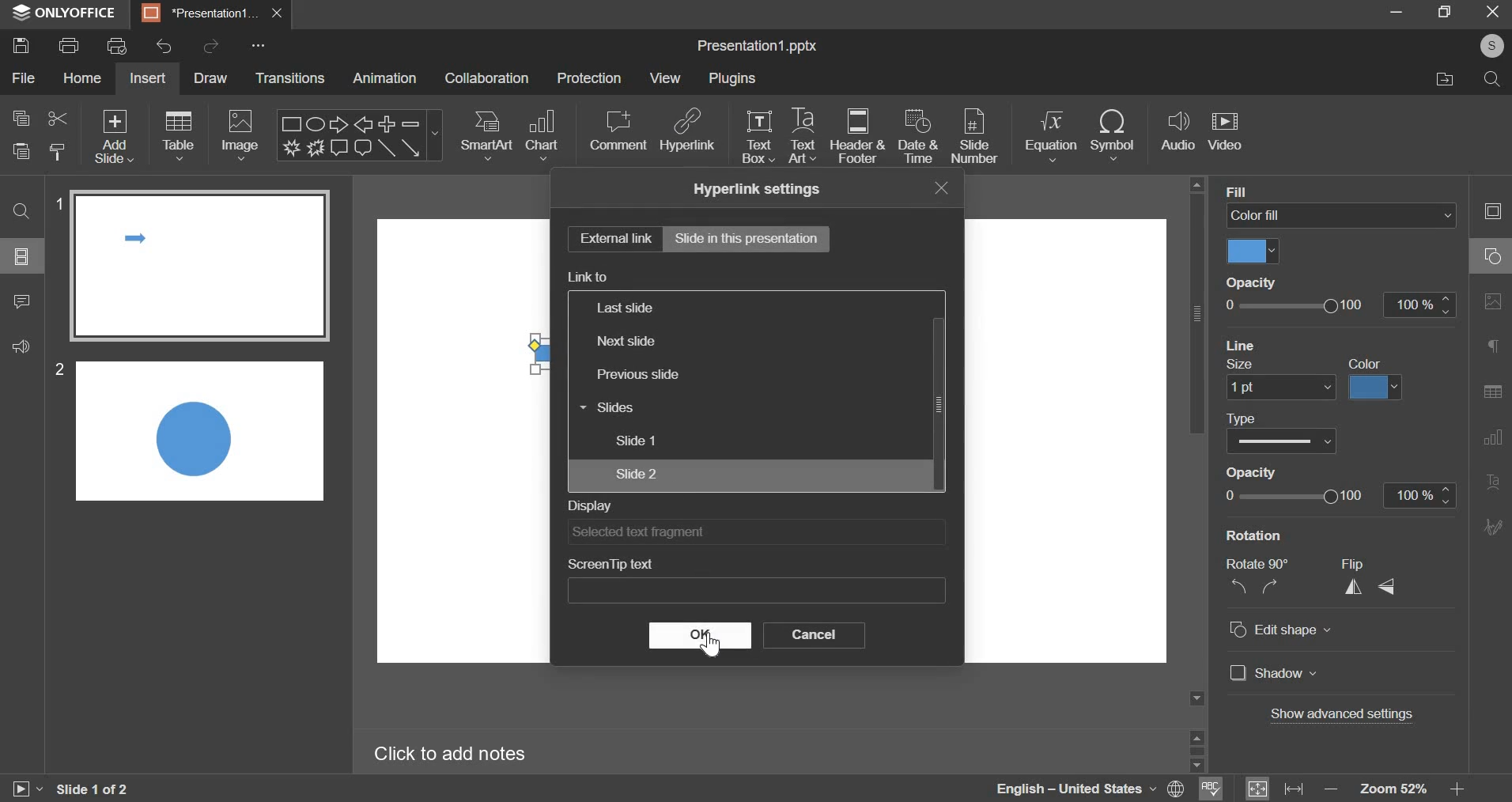 The width and height of the screenshot is (1512, 802). Describe the element at coordinates (1419, 496) in the screenshot. I see `increase/decrease` at that location.